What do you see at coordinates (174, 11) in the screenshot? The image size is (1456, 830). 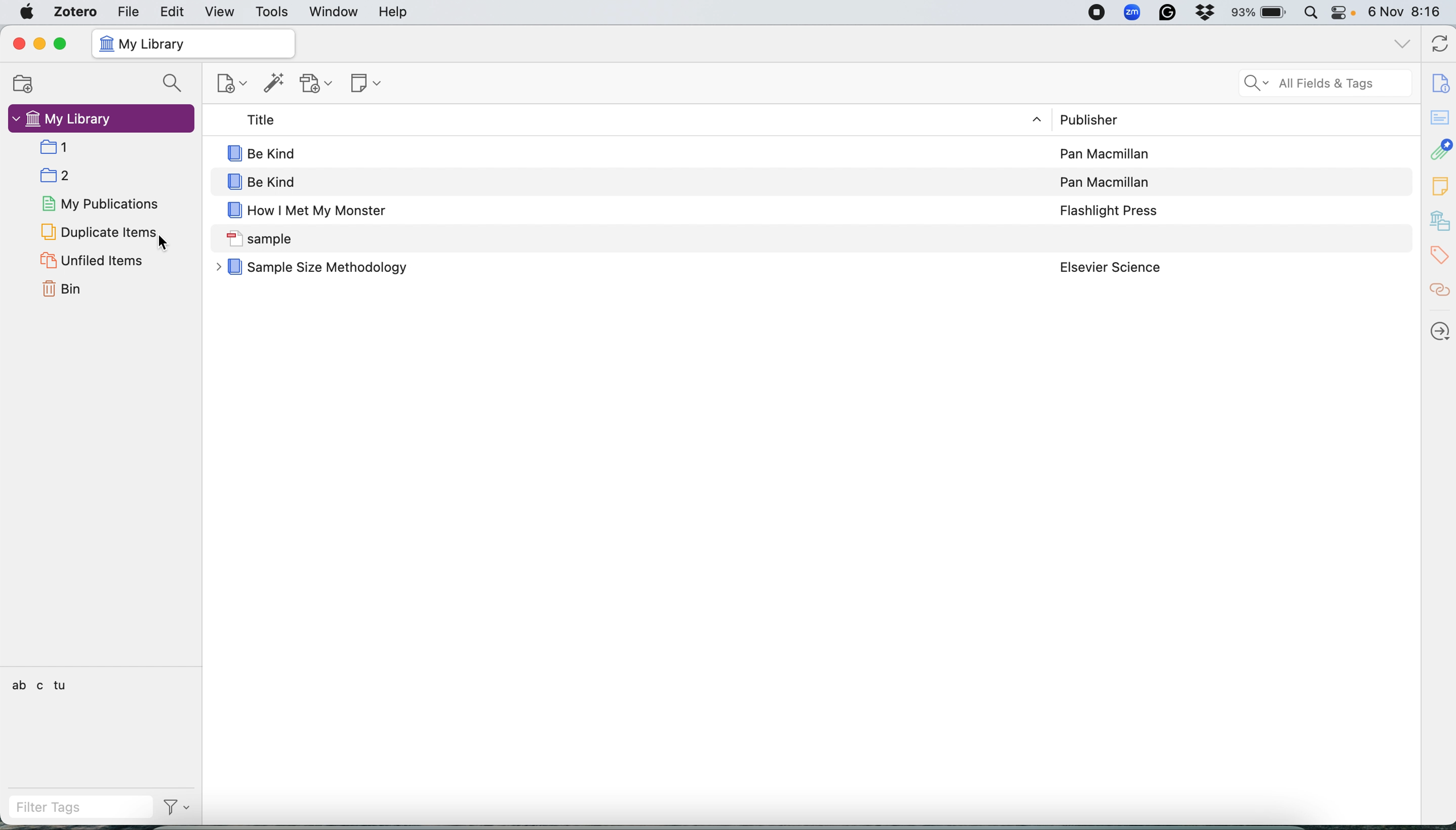 I see `edit` at bounding box center [174, 11].